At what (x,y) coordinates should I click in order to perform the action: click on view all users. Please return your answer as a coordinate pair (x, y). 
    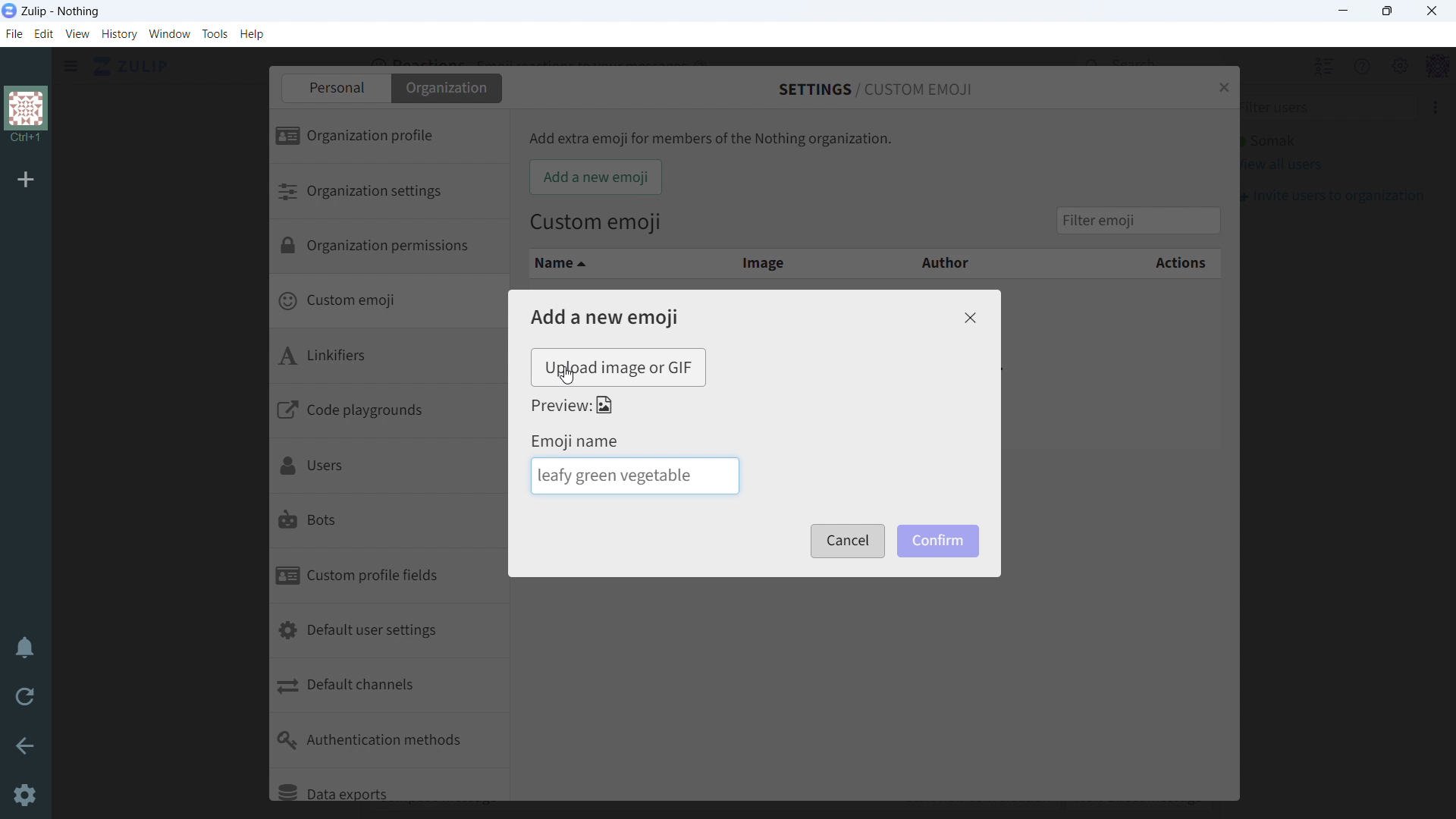
    Looking at the image, I should click on (1281, 165).